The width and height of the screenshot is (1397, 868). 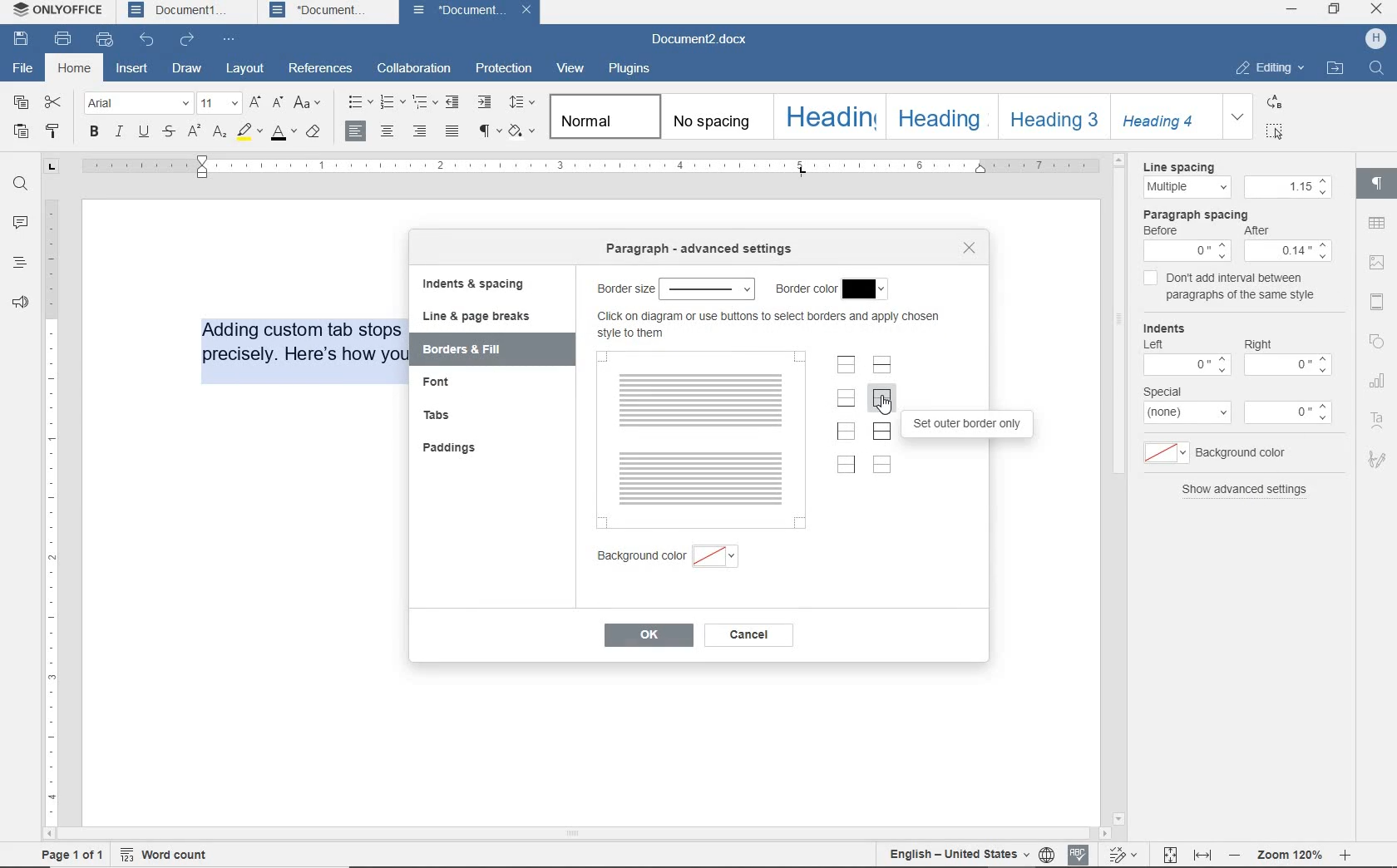 I want to click on zoom 120%, so click(x=1287, y=851).